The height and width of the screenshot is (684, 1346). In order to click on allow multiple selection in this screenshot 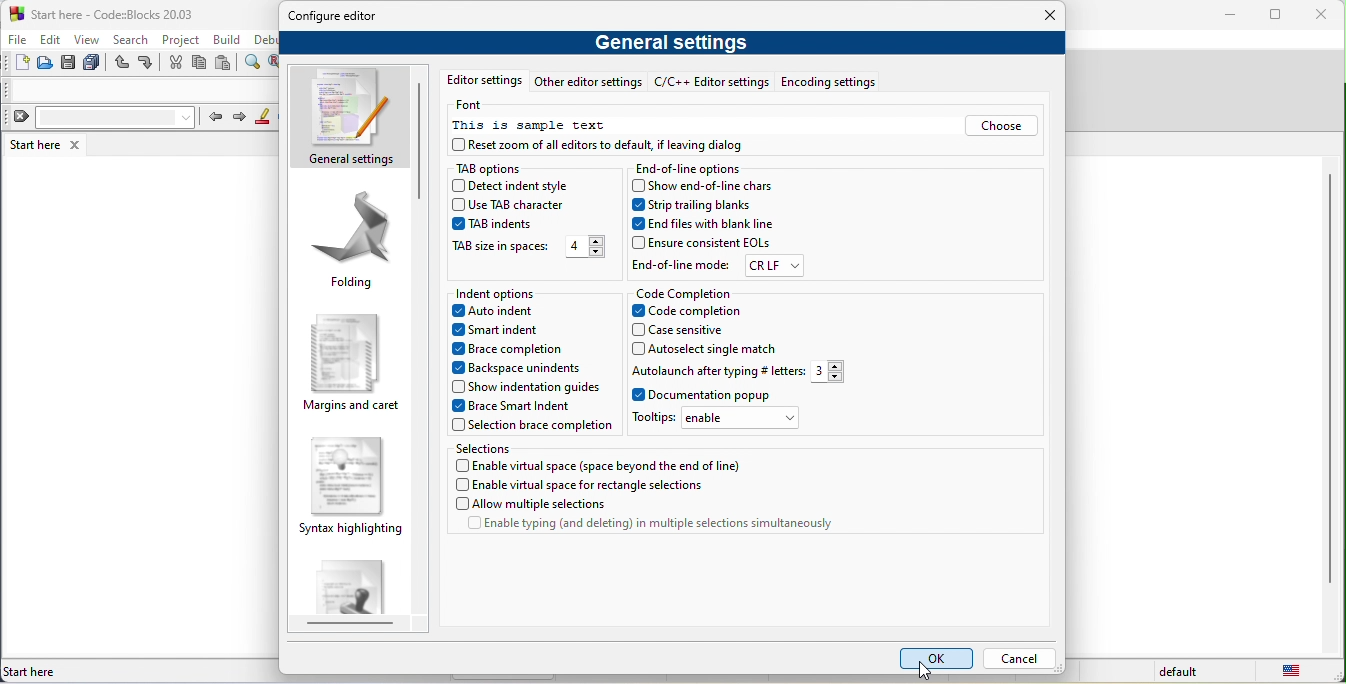, I will do `click(533, 504)`.